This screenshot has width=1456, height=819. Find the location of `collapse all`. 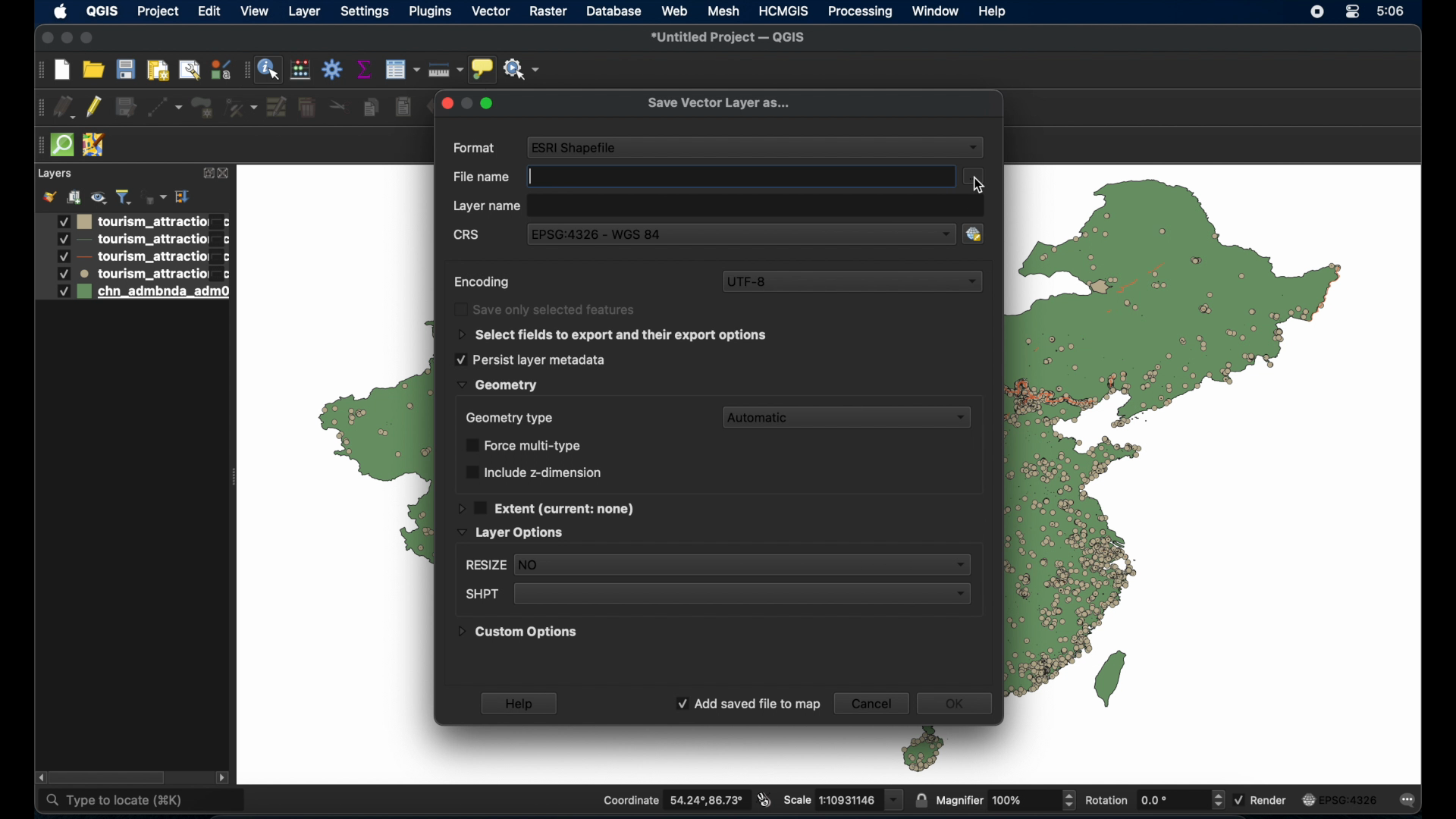

collapse all is located at coordinates (182, 196).